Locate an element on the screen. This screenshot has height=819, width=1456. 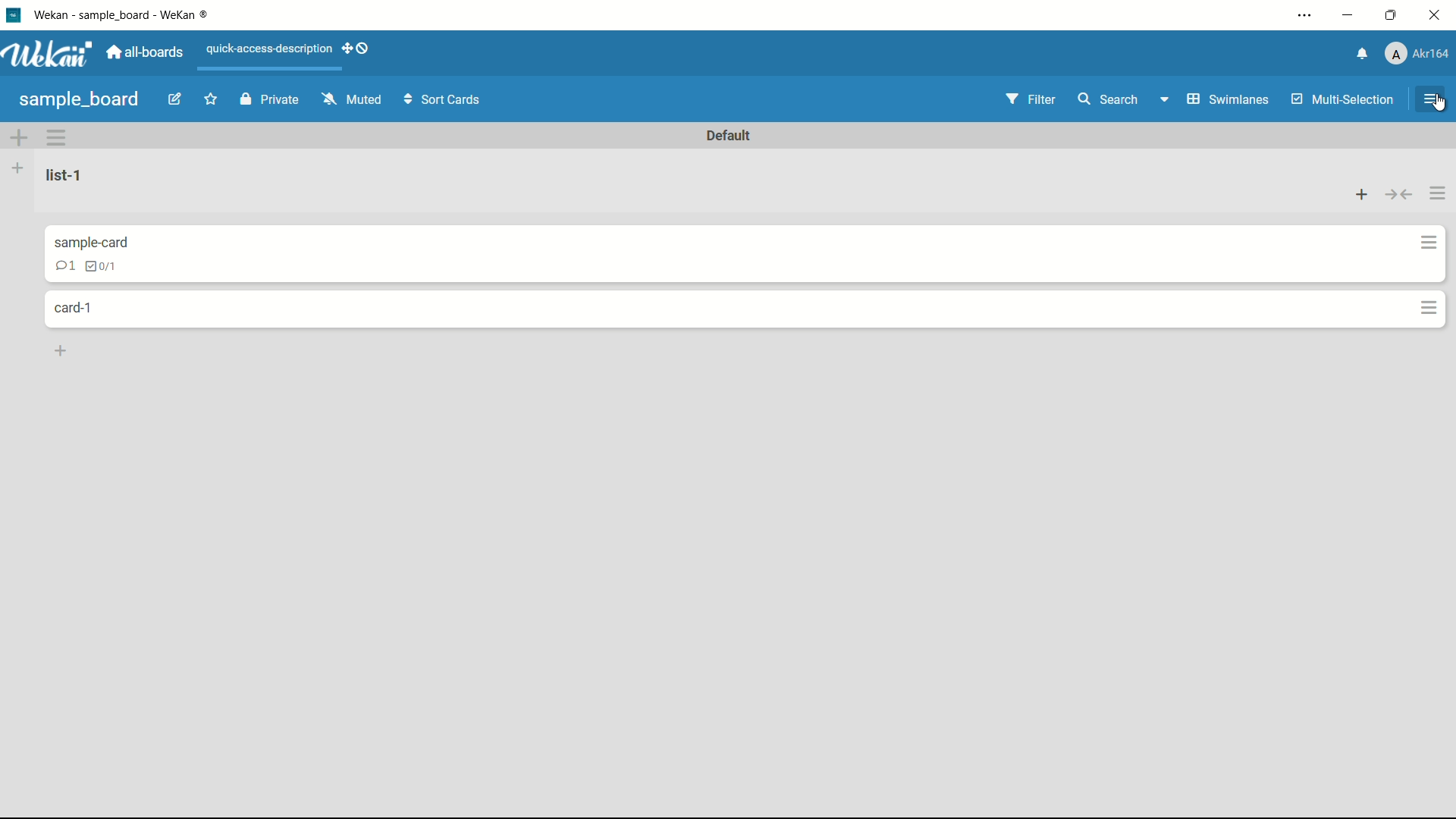
notifications is located at coordinates (1362, 53).